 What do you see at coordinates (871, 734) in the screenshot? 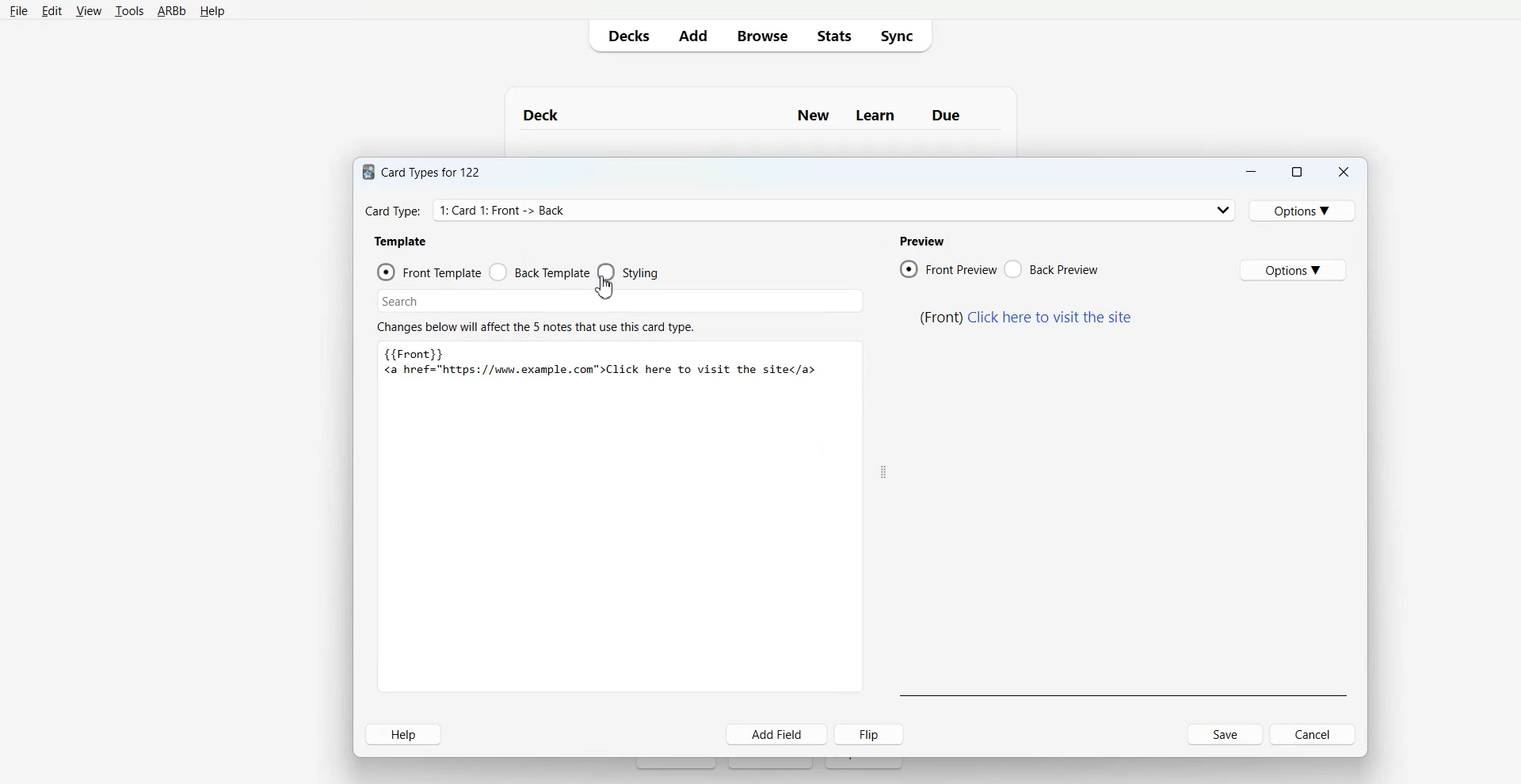
I see `Flip` at bounding box center [871, 734].